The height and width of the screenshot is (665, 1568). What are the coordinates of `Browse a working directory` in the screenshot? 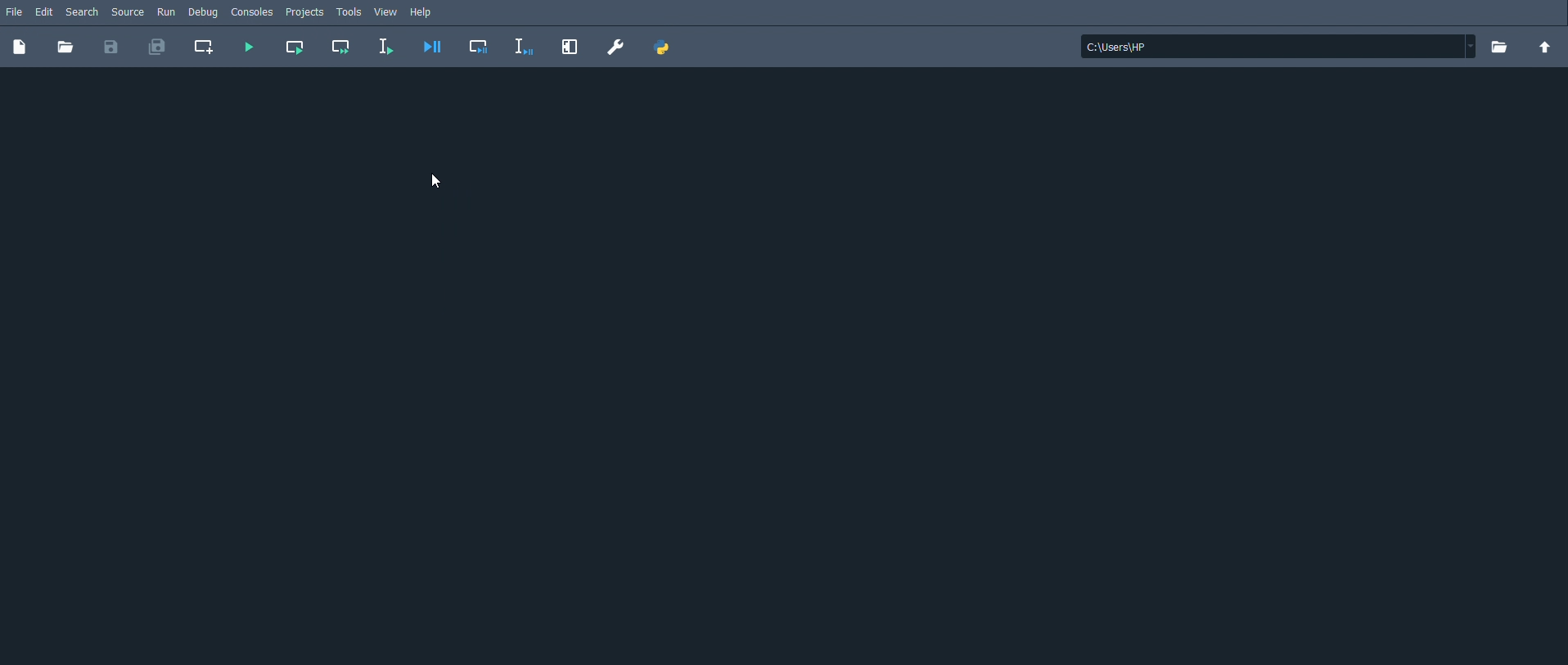 It's located at (1498, 47).